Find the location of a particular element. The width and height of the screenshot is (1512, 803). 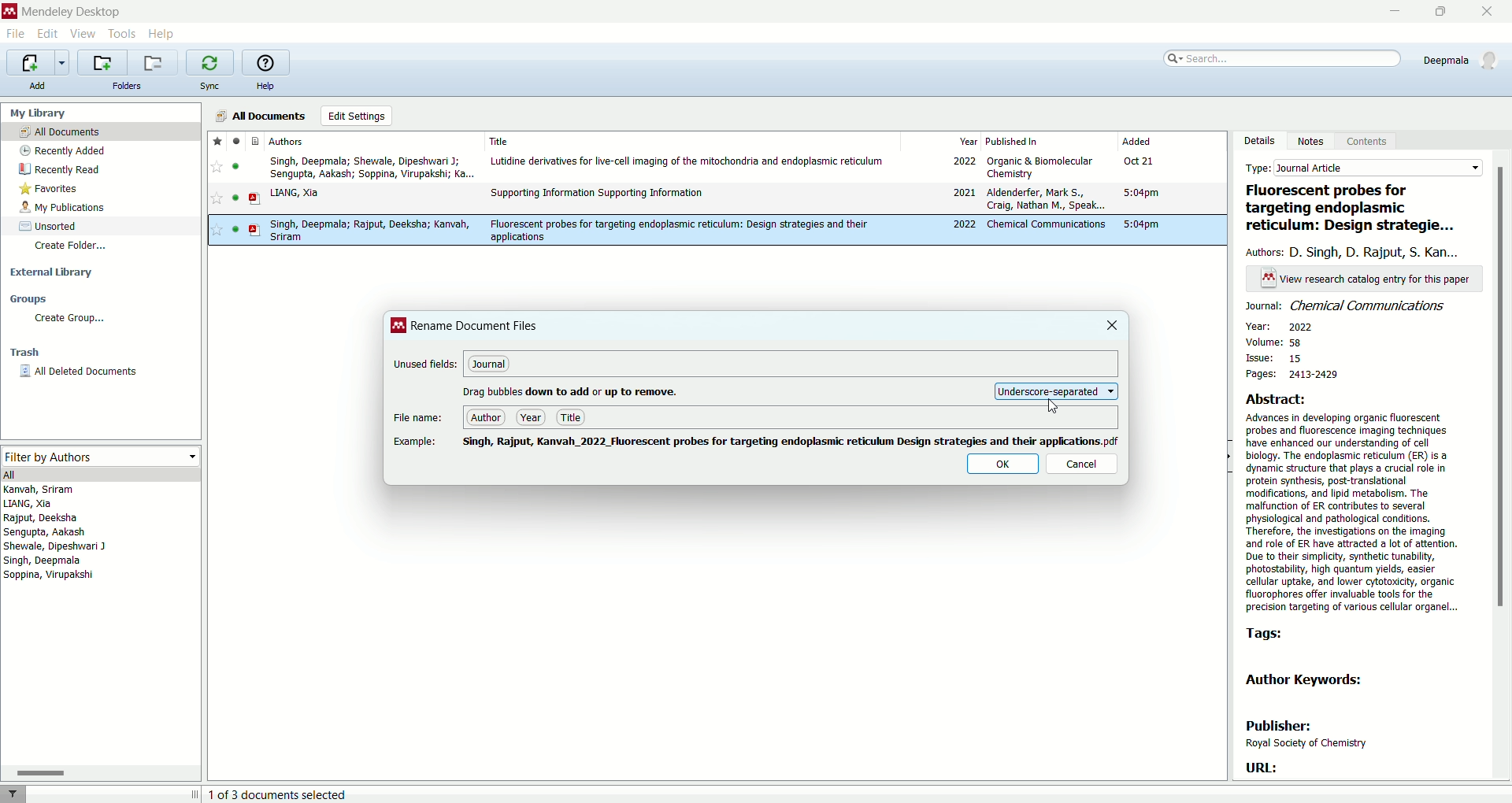

cancel is located at coordinates (1083, 465).